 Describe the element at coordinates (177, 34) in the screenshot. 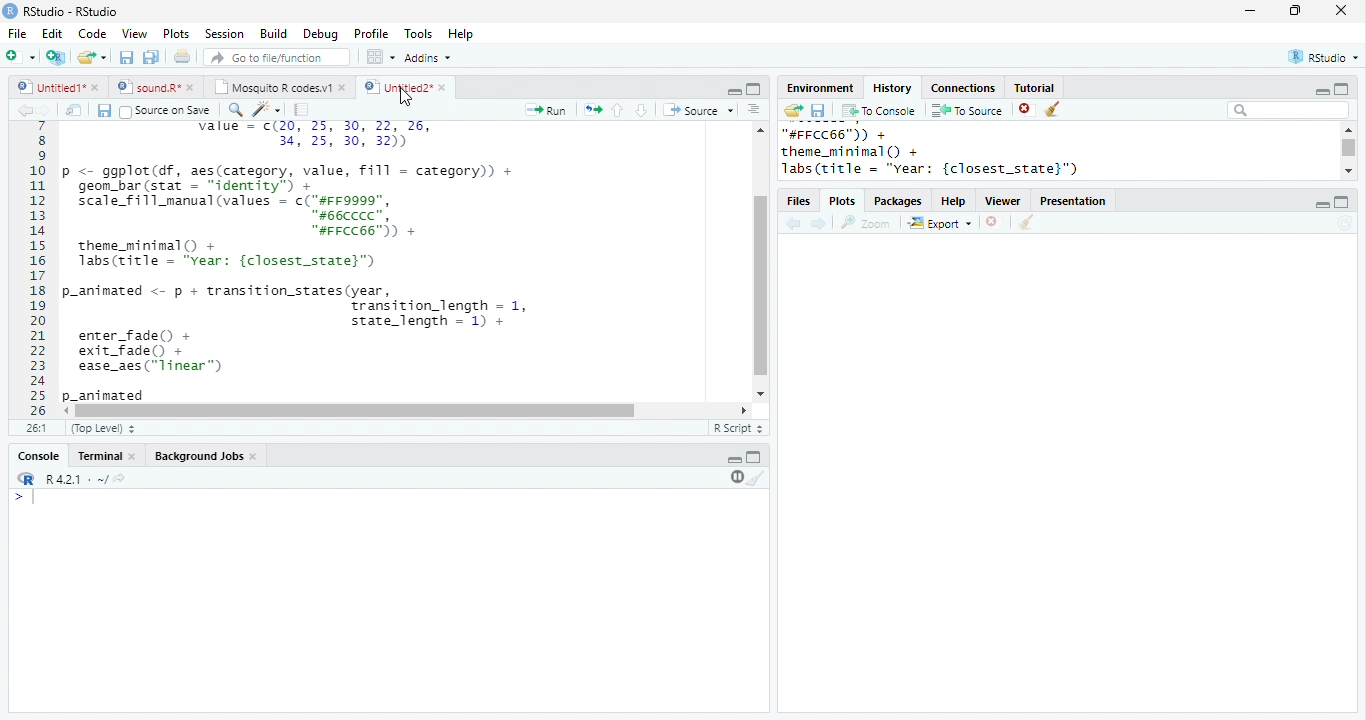

I see `Plots` at that location.